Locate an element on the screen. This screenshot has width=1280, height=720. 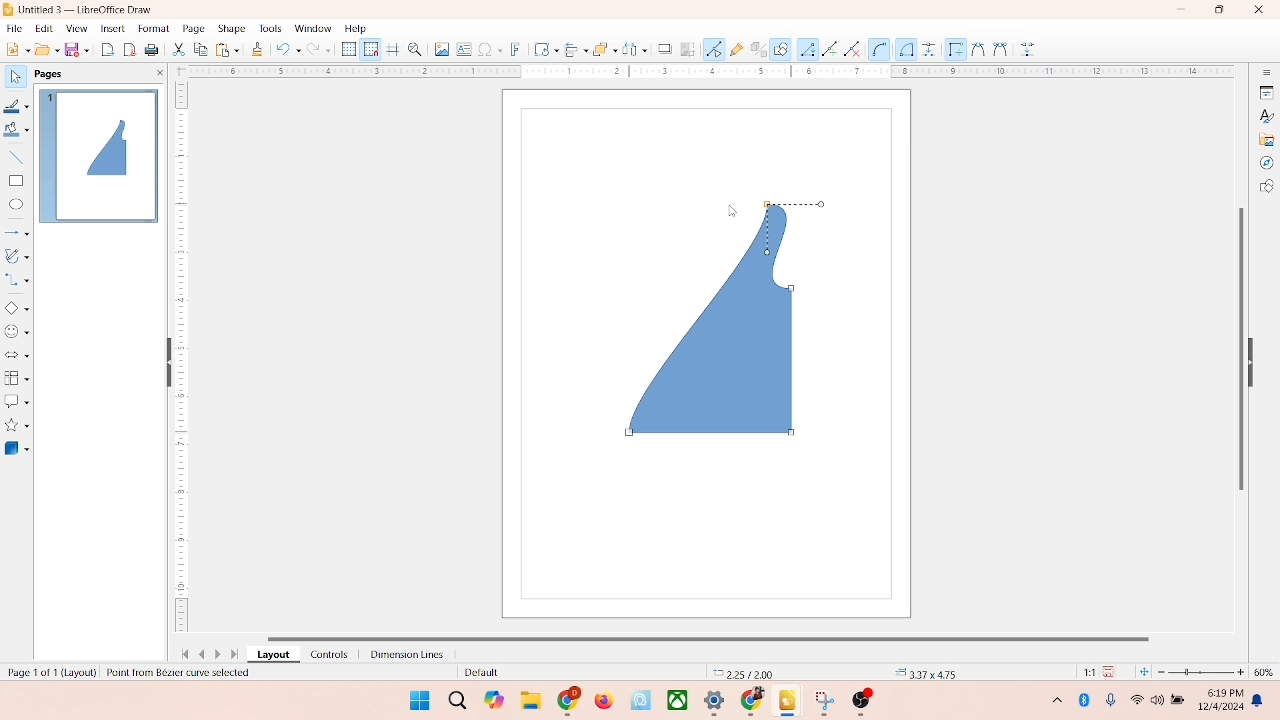
scale bar is located at coordinates (181, 360).